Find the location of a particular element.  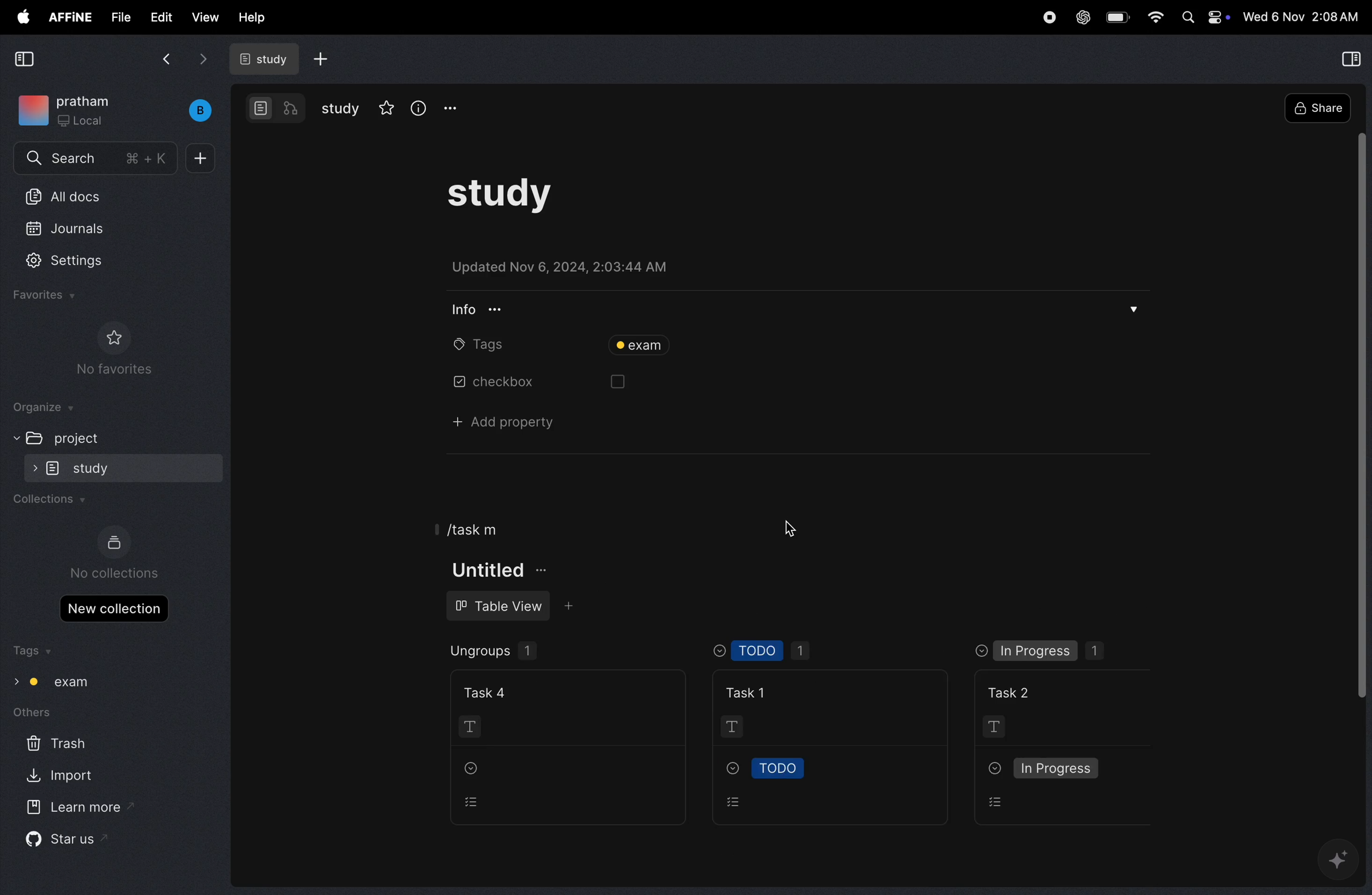

time and date is located at coordinates (1304, 17).